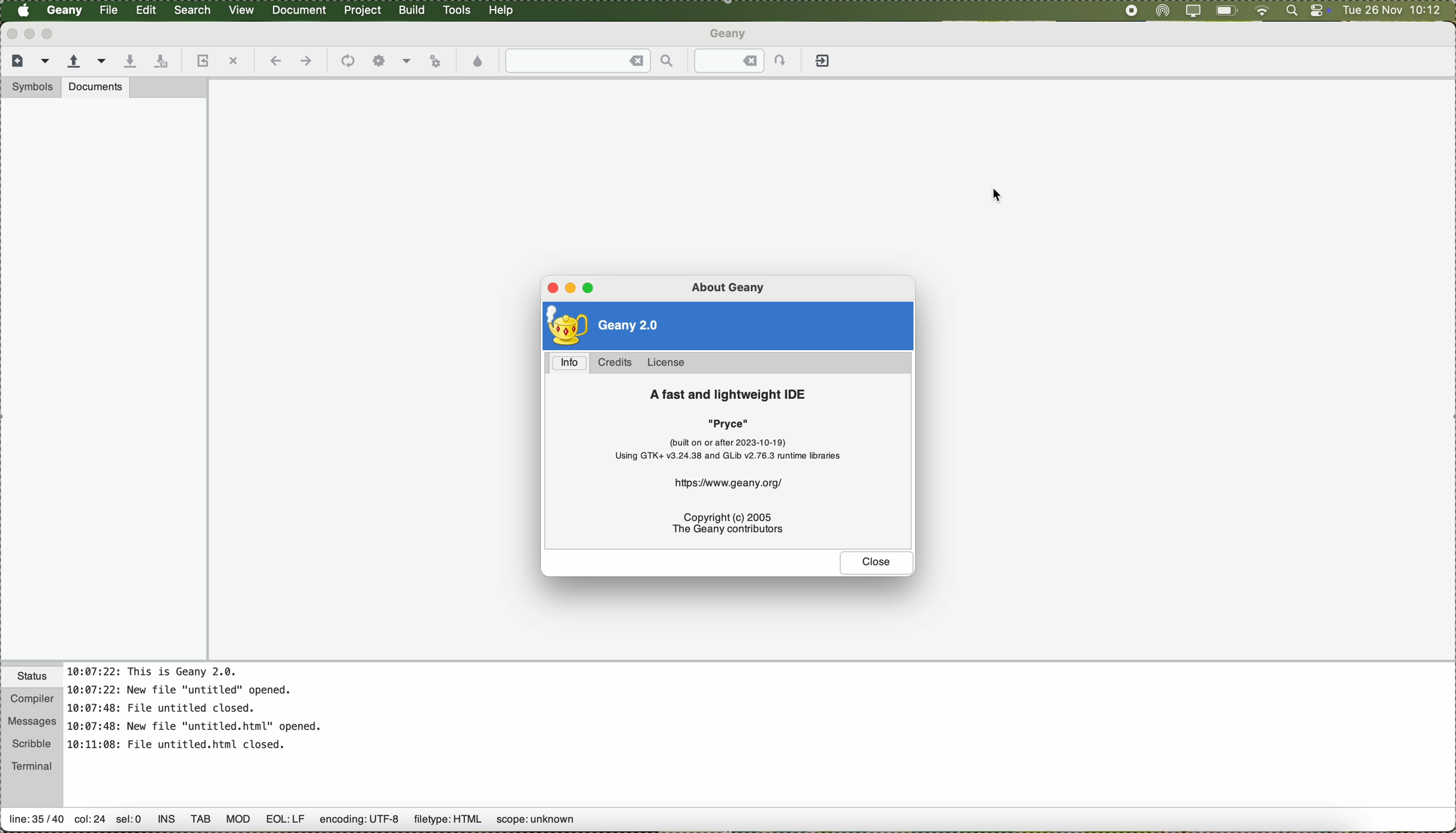 The width and height of the screenshot is (1456, 833). I want to click on find the entered text in the current file, so click(588, 61).